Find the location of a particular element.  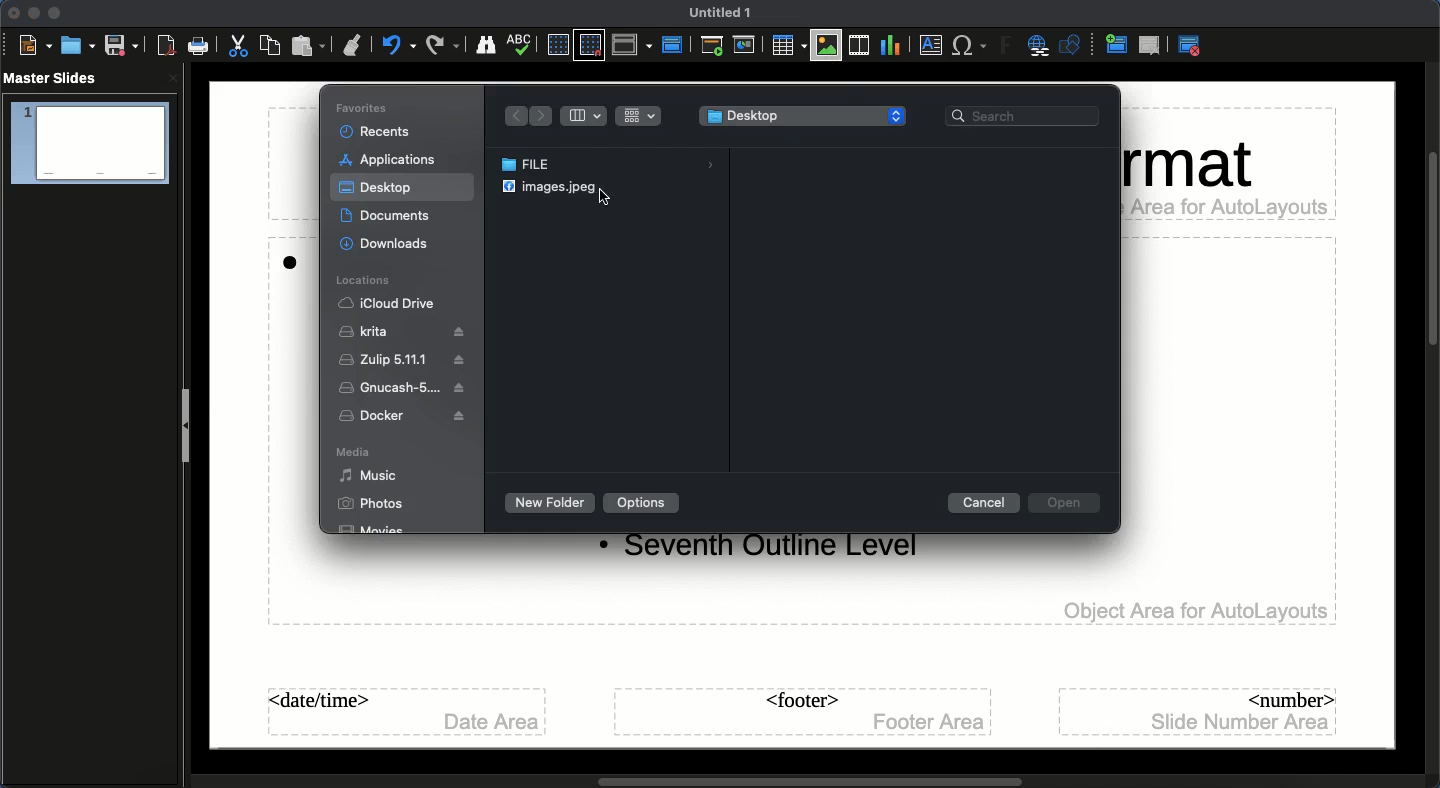

Save is located at coordinates (121, 46).